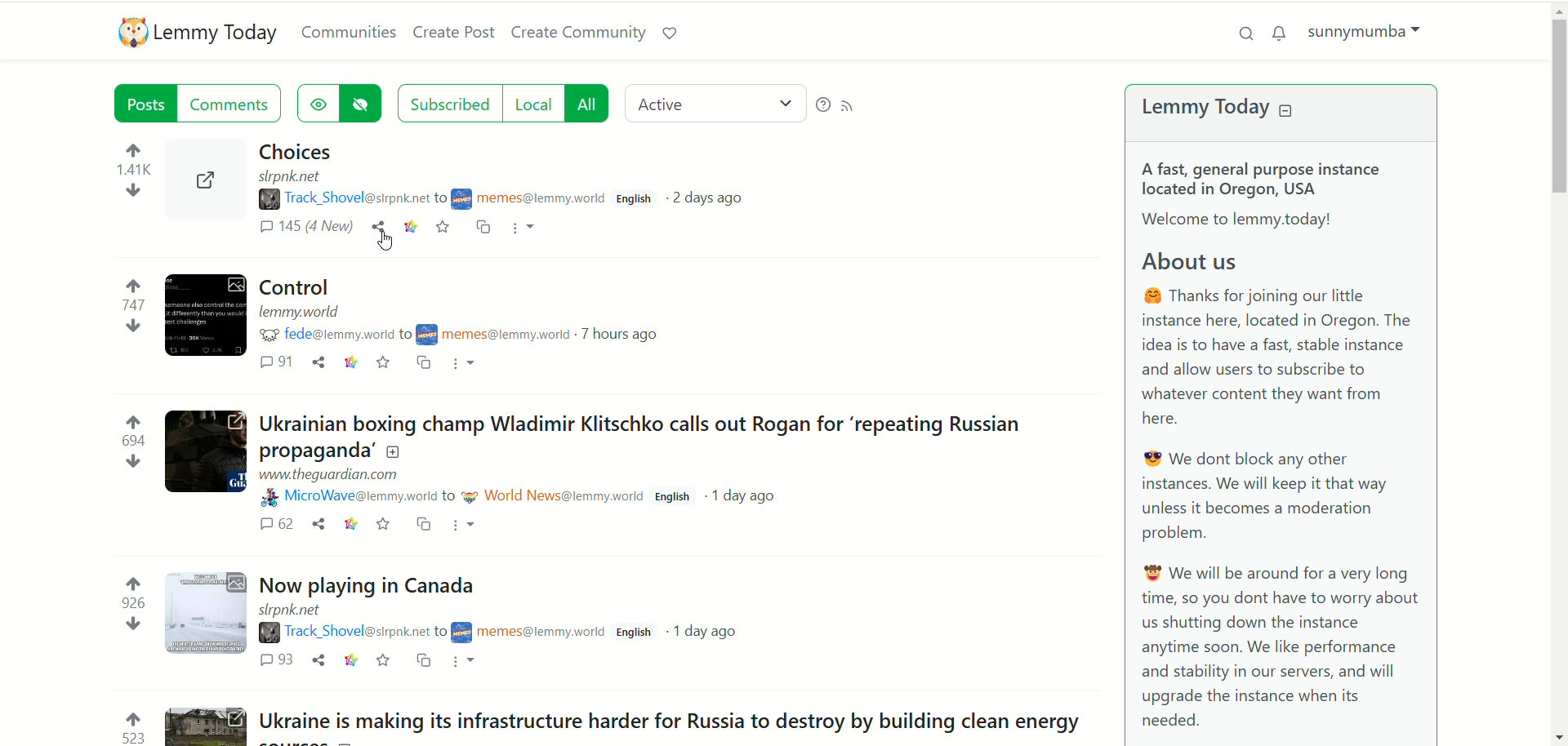 The height and width of the screenshot is (746, 1568). I want to click on cross post, so click(424, 362).